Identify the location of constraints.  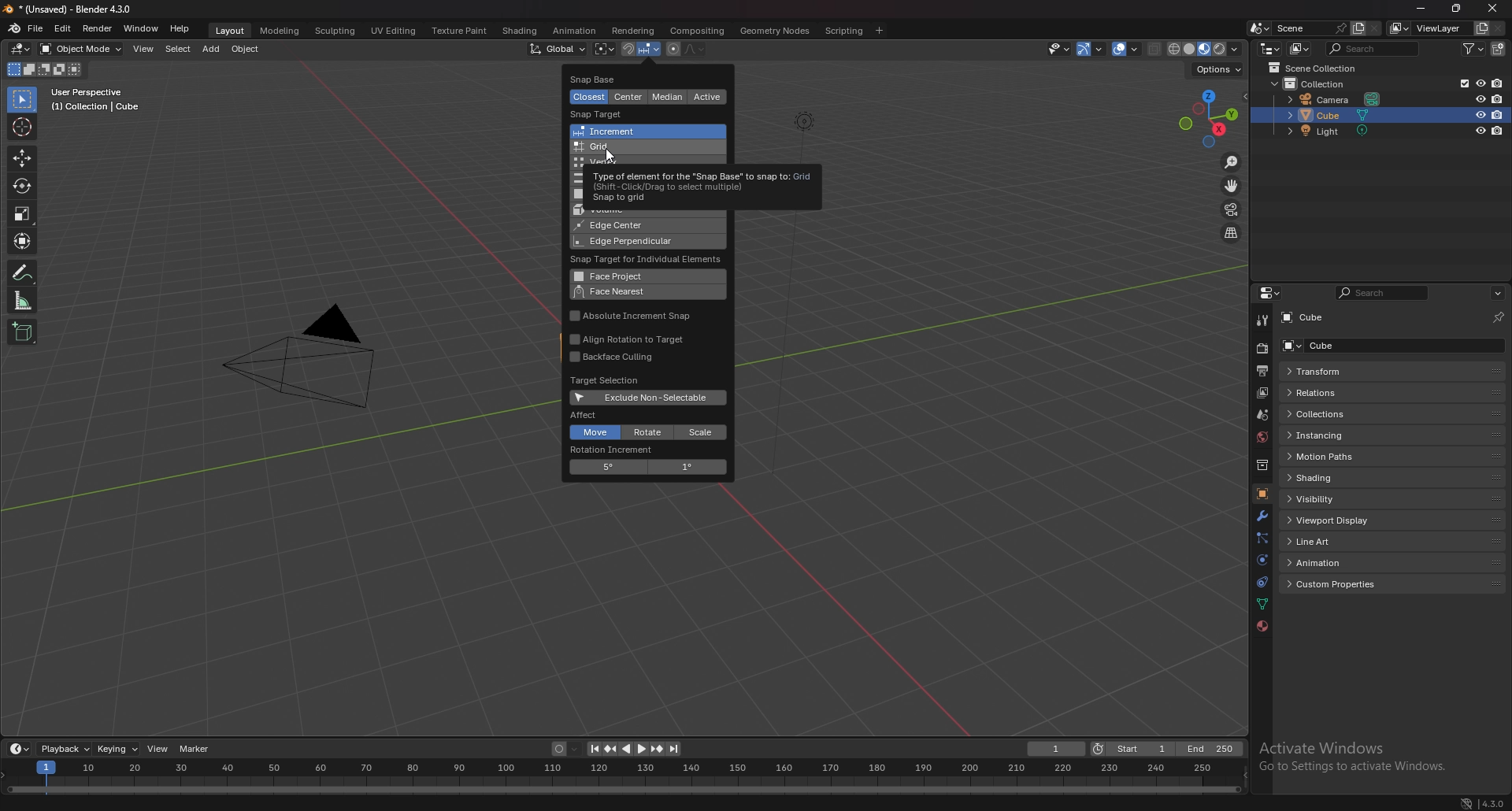
(1262, 581).